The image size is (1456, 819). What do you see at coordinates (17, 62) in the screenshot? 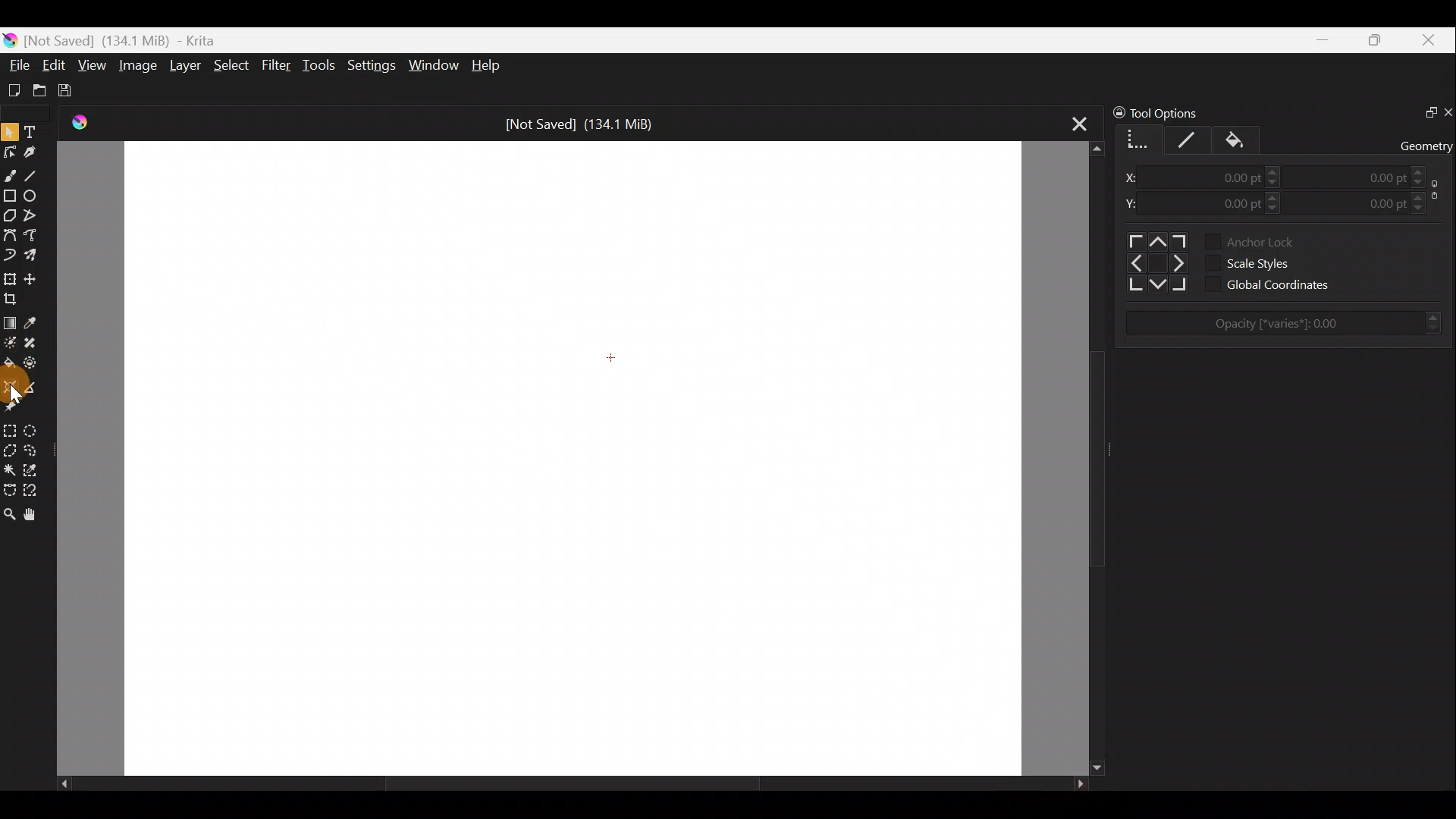
I see `File` at bounding box center [17, 62].